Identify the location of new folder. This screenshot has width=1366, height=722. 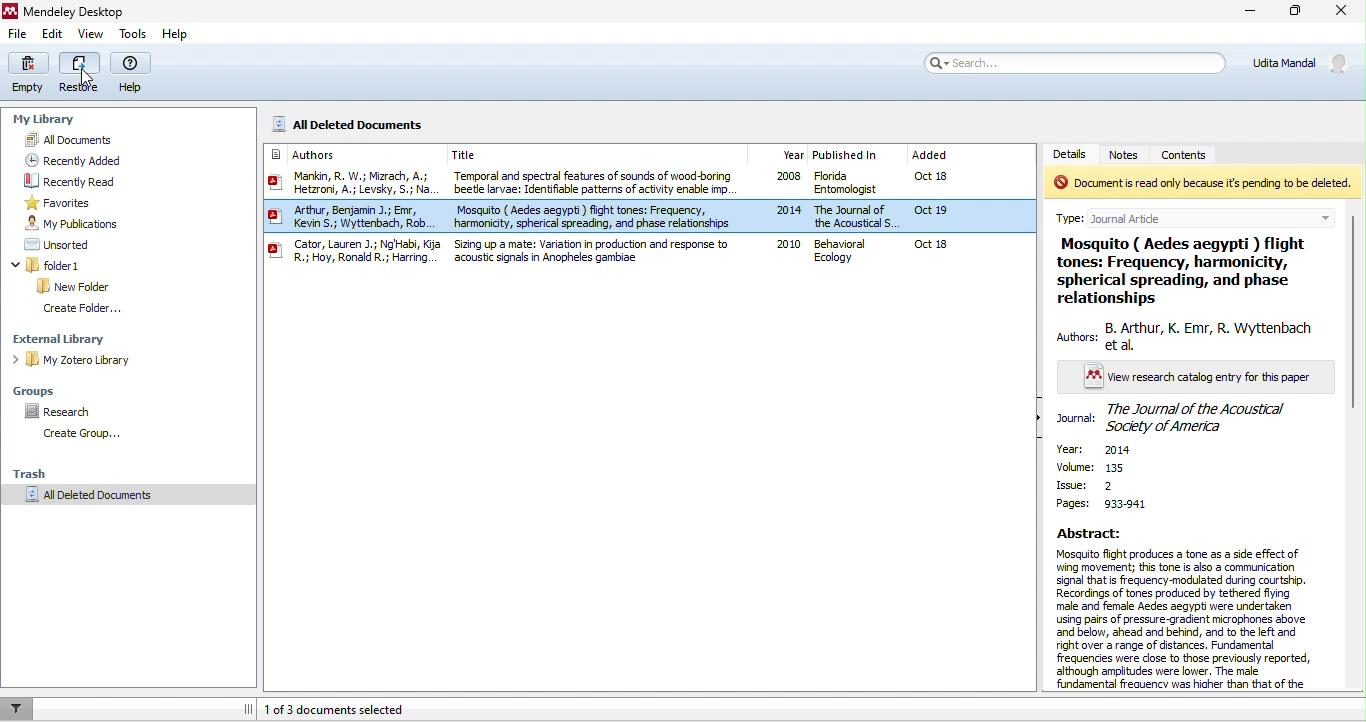
(74, 285).